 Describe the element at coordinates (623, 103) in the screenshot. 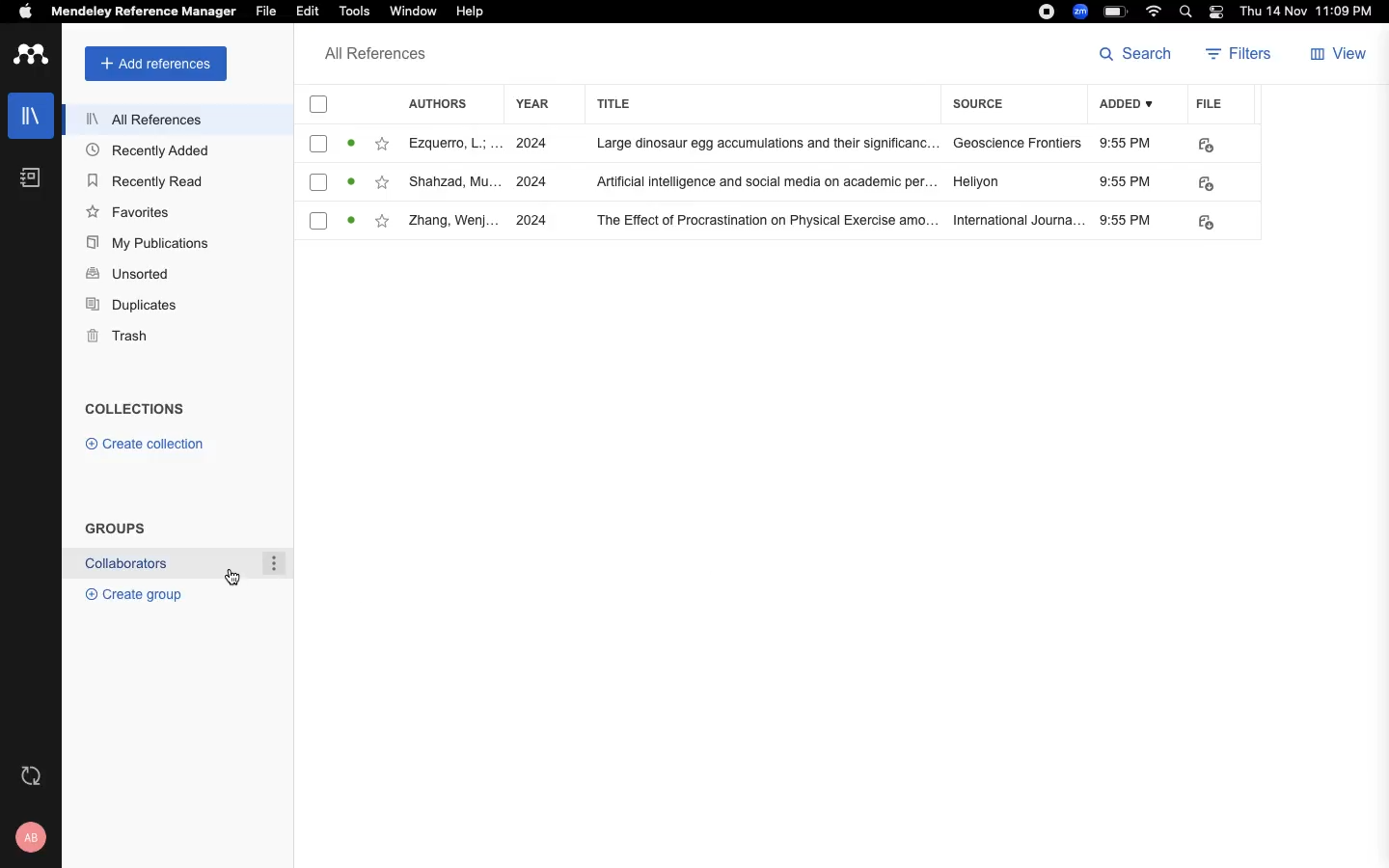

I see `title` at that location.